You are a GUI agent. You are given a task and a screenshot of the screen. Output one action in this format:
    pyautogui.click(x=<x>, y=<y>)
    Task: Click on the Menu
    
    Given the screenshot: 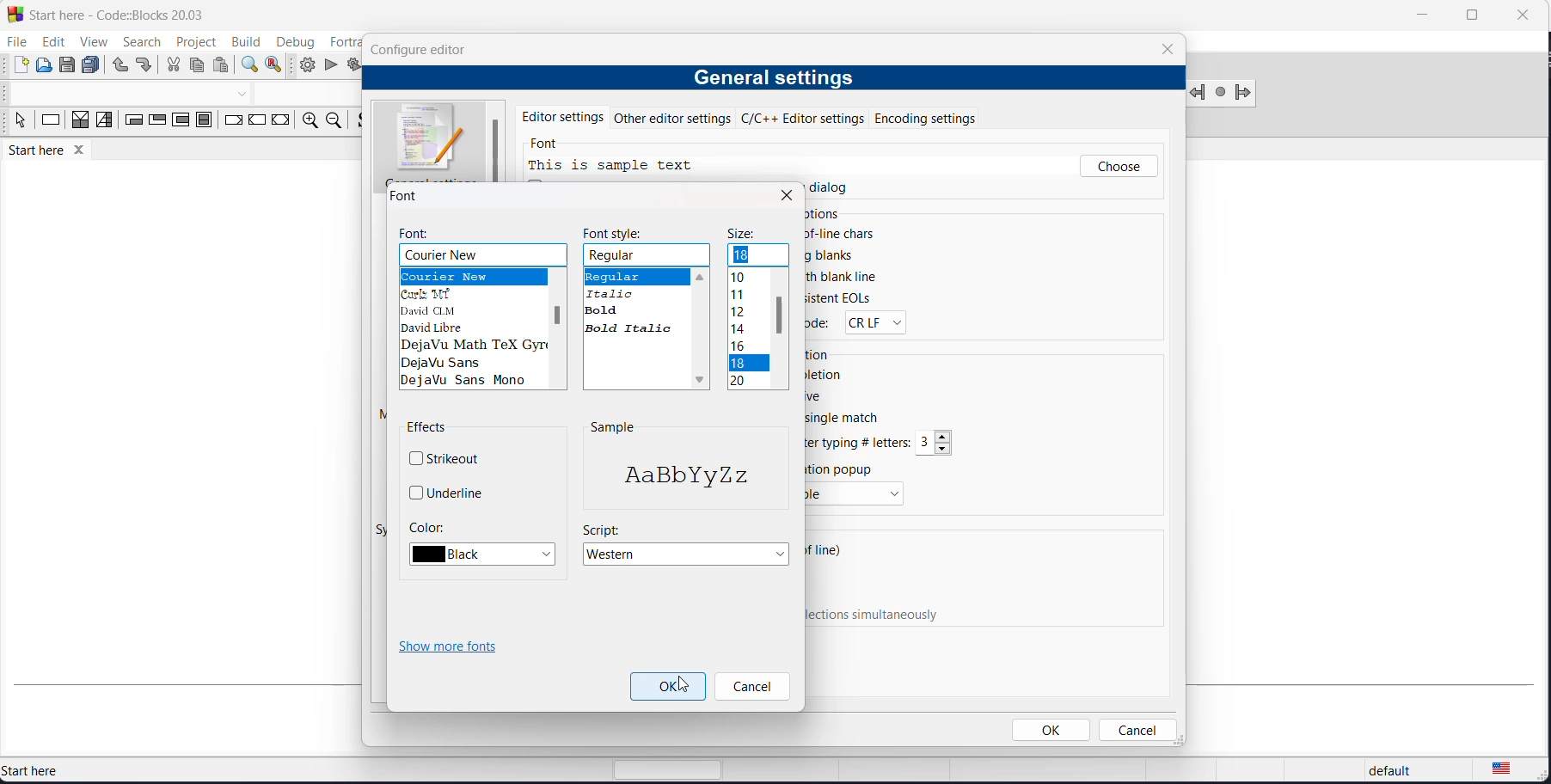 What is the action you would take?
    pyautogui.click(x=855, y=495)
    